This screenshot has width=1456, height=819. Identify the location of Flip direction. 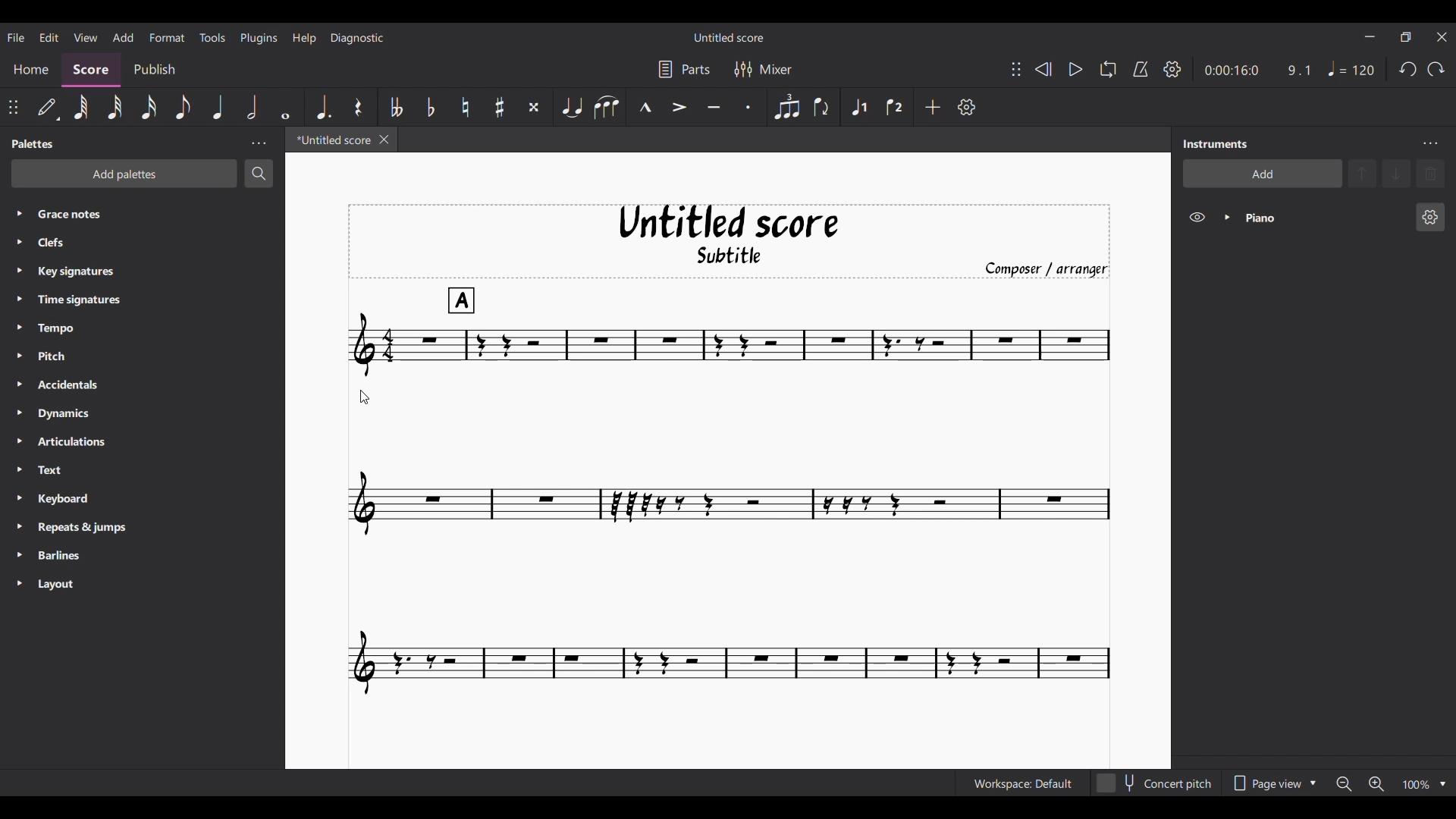
(821, 107).